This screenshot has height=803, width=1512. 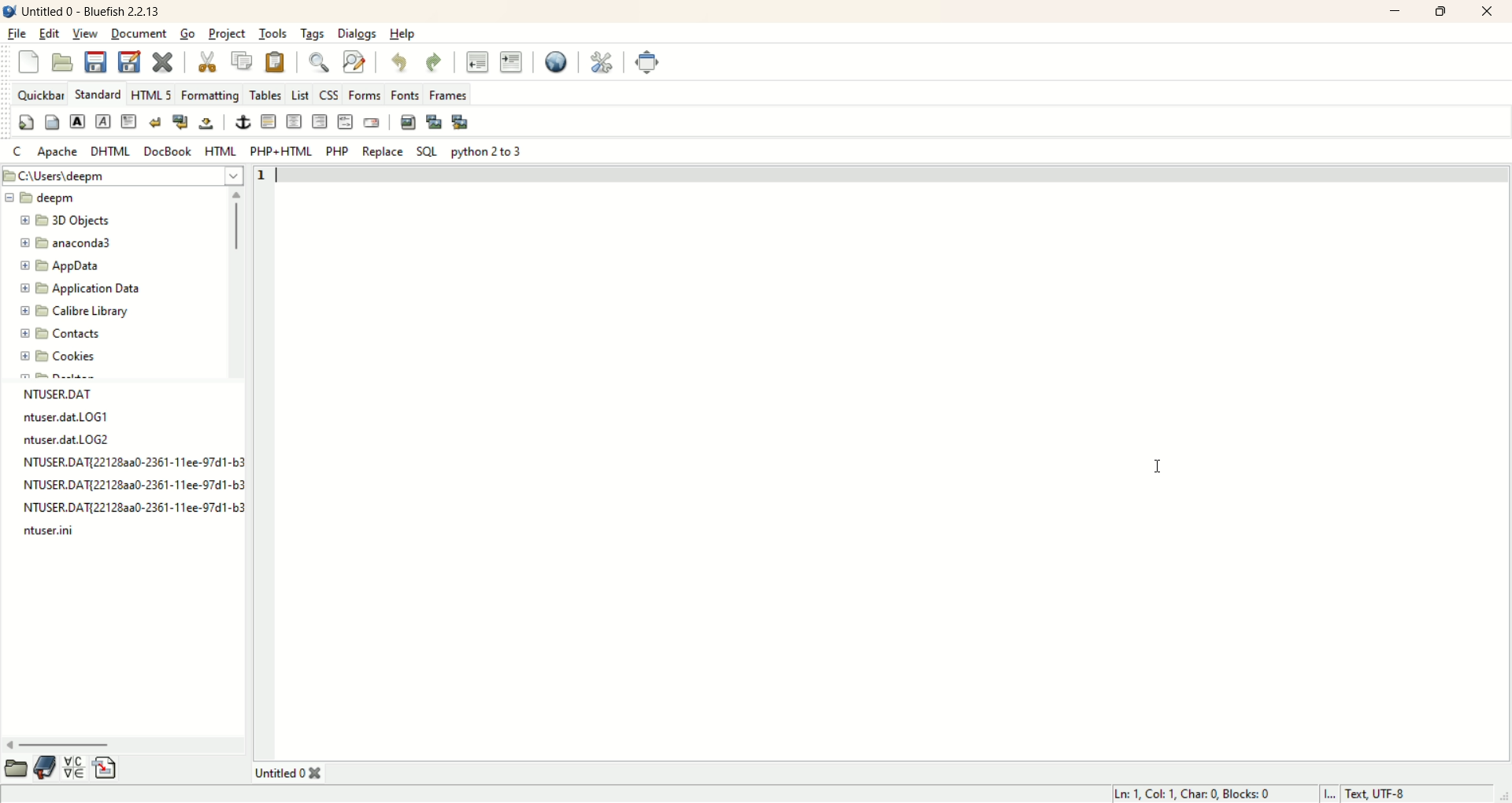 I want to click on document, so click(x=140, y=34).